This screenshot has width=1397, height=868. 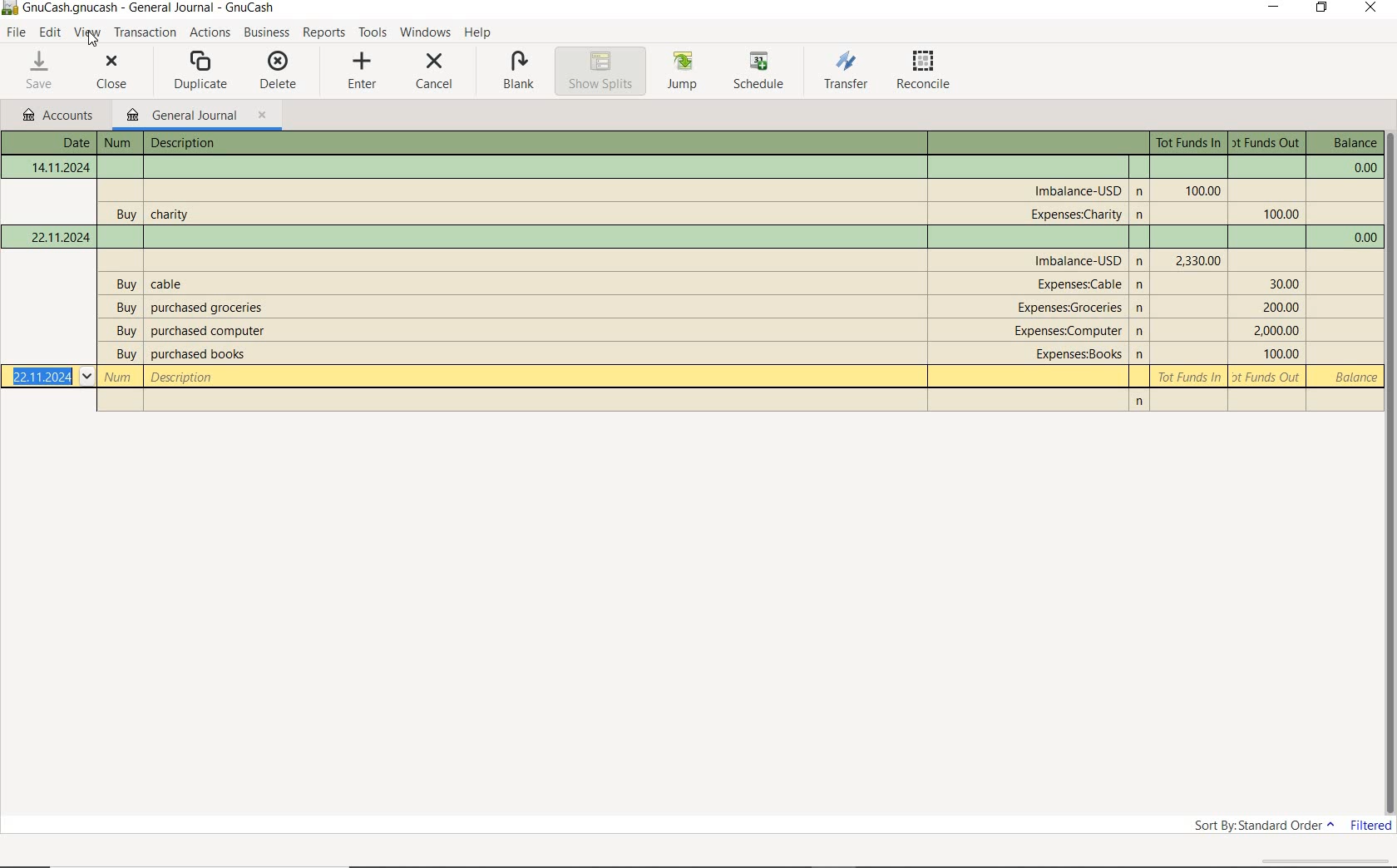 What do you see at coordinates (277, 70) in the screenshot?
I see `DELETE` at bounding box center [277, 70].